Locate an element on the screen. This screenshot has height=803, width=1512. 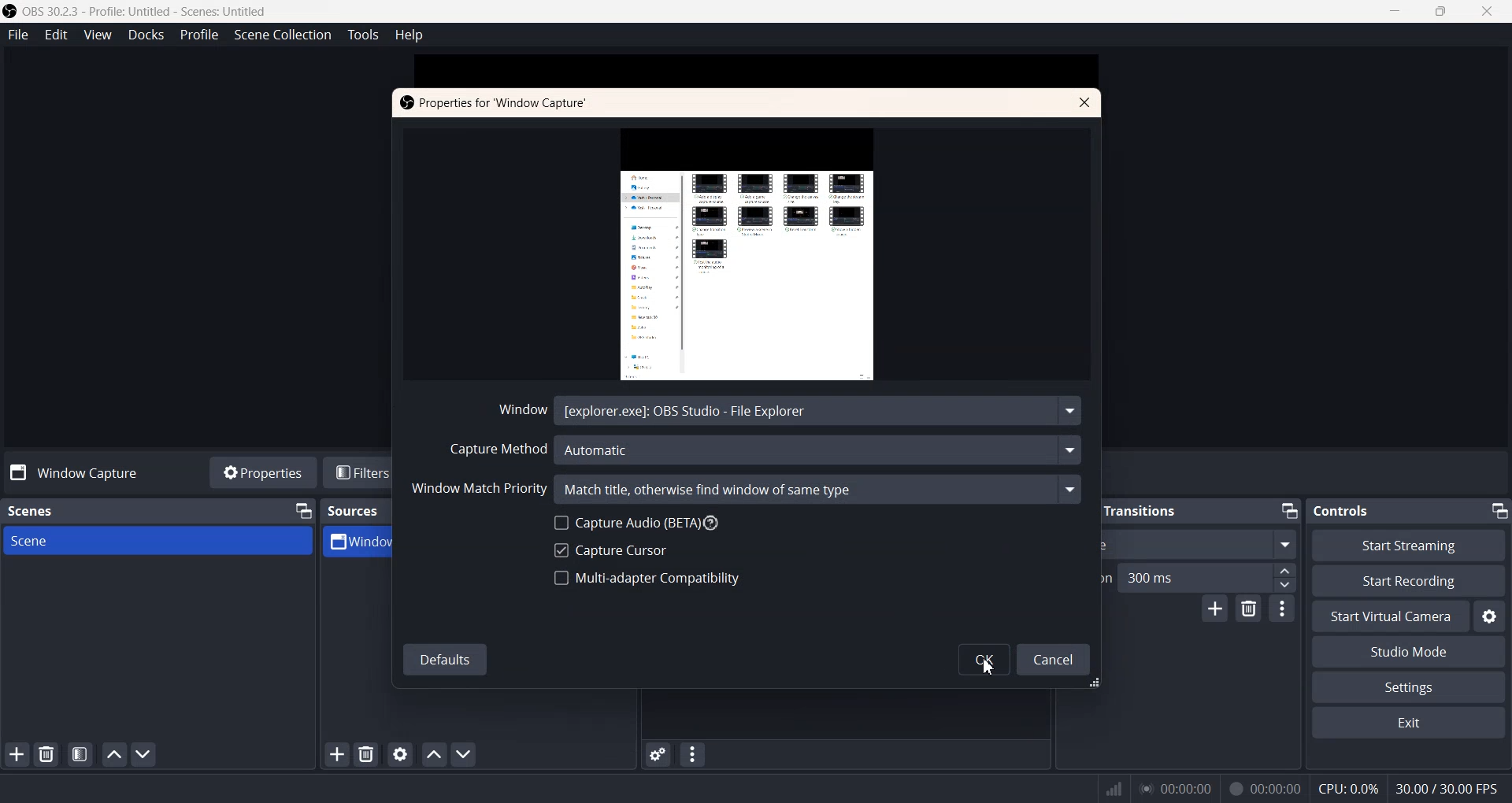
File is located at coordinates (18, 35).